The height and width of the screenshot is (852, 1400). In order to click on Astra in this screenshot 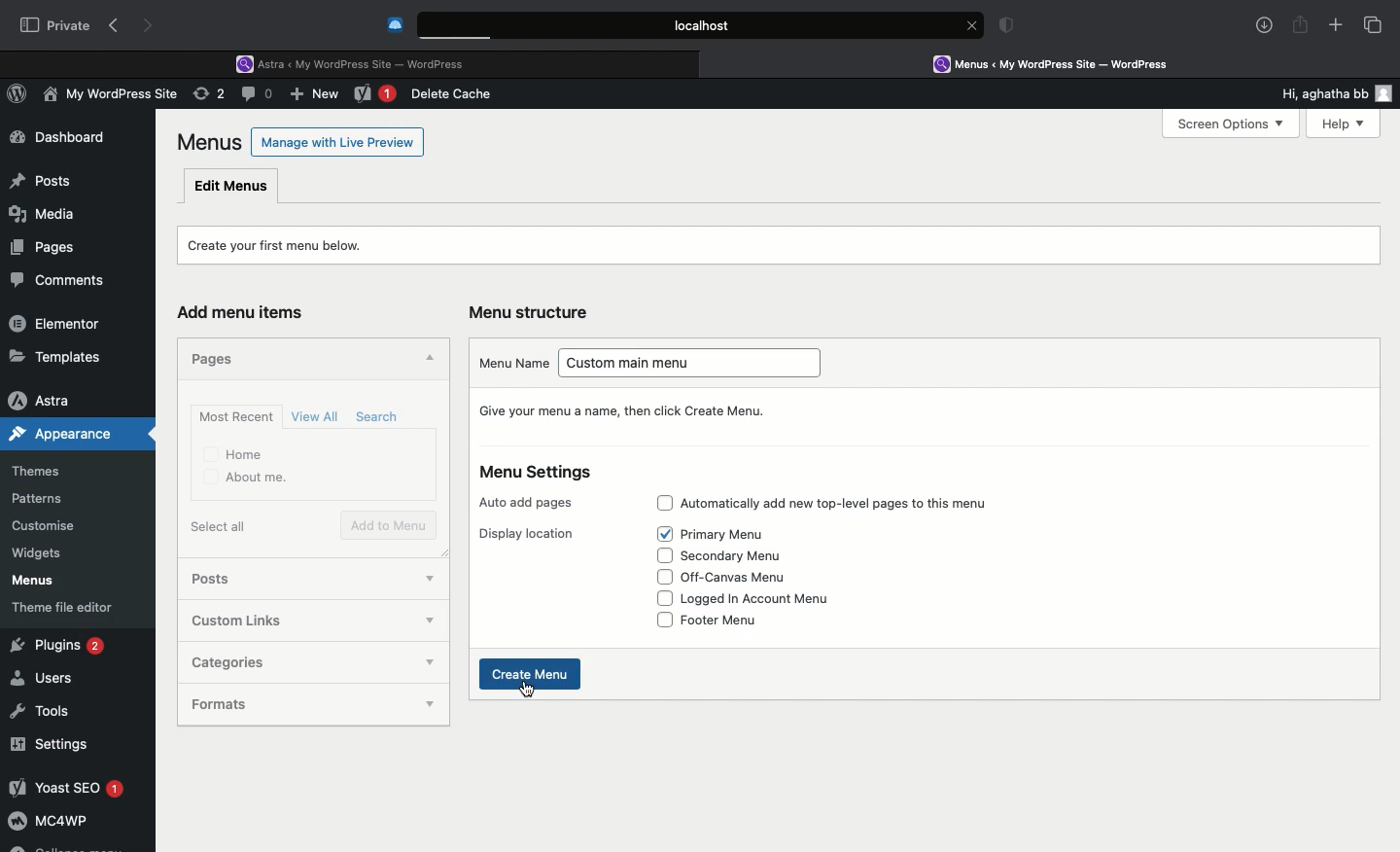, I will do `click(57, 400)`.